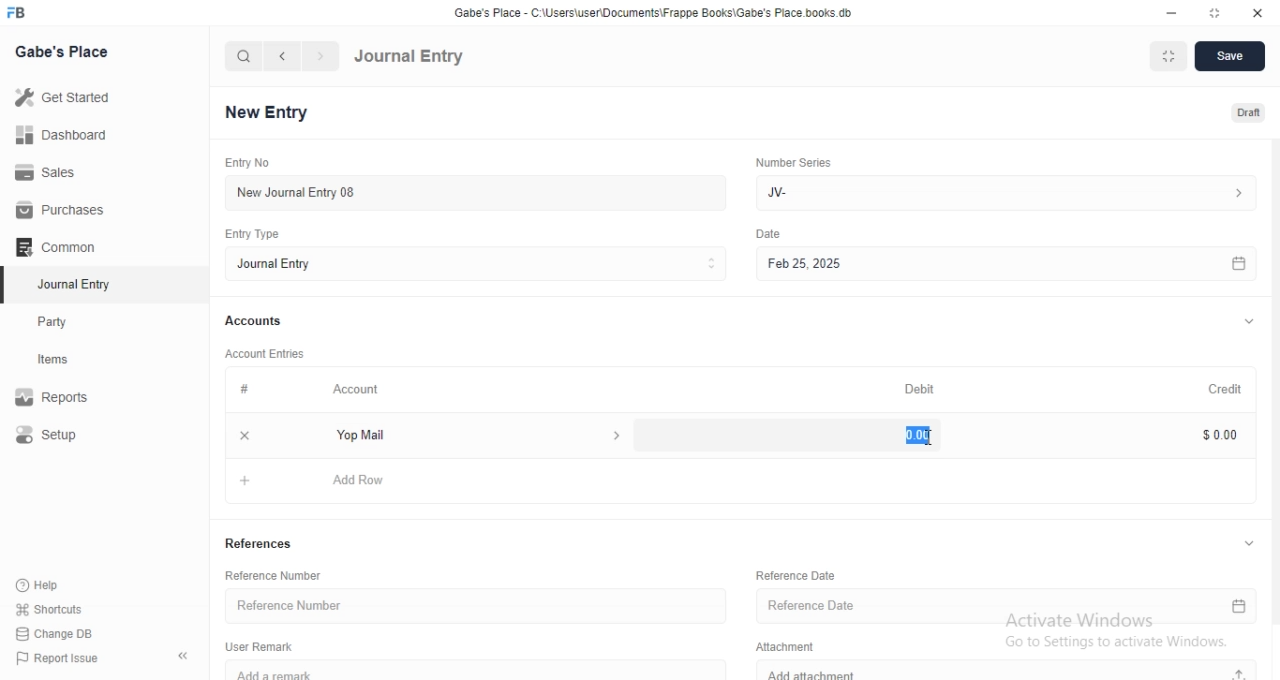  Describe the element at coordinates (72, 322) in the screenshot. I see `Party` at that location.